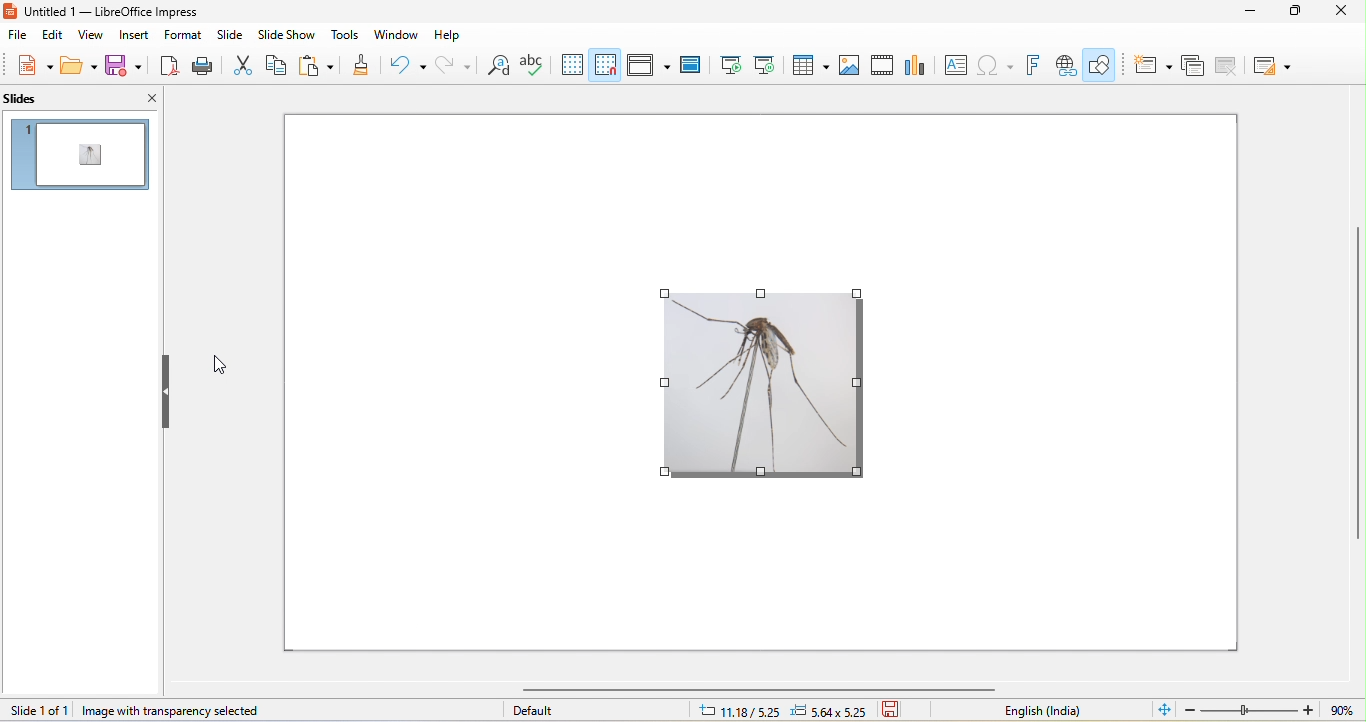  Describe the element at coordinates (571, 65) in the screenshot. I see `display grid` at that location.